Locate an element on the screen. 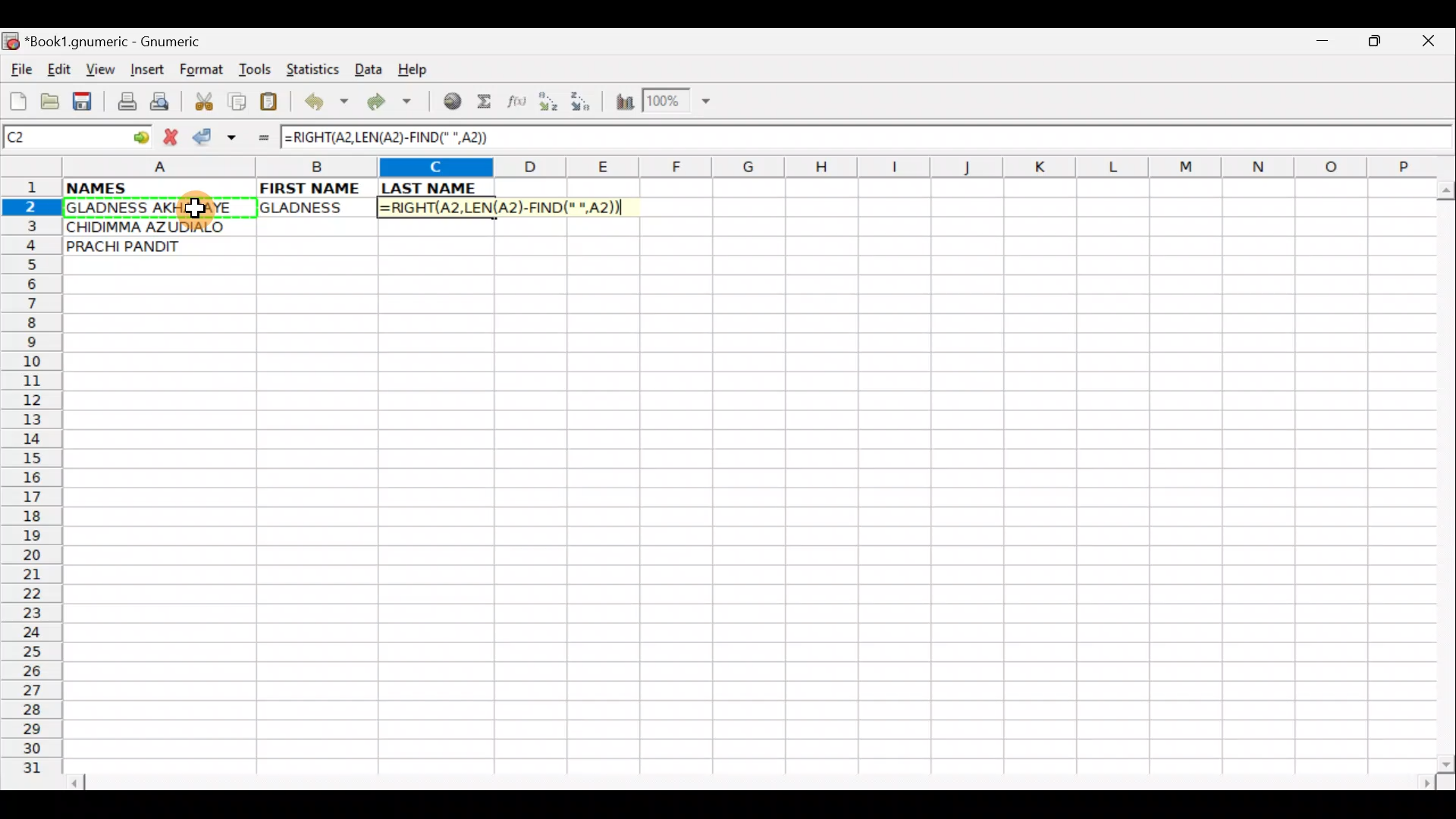  =RIGHT(A2,LEN(A2)-FIND(" ",A2)) is located at coordinates (391, 135).